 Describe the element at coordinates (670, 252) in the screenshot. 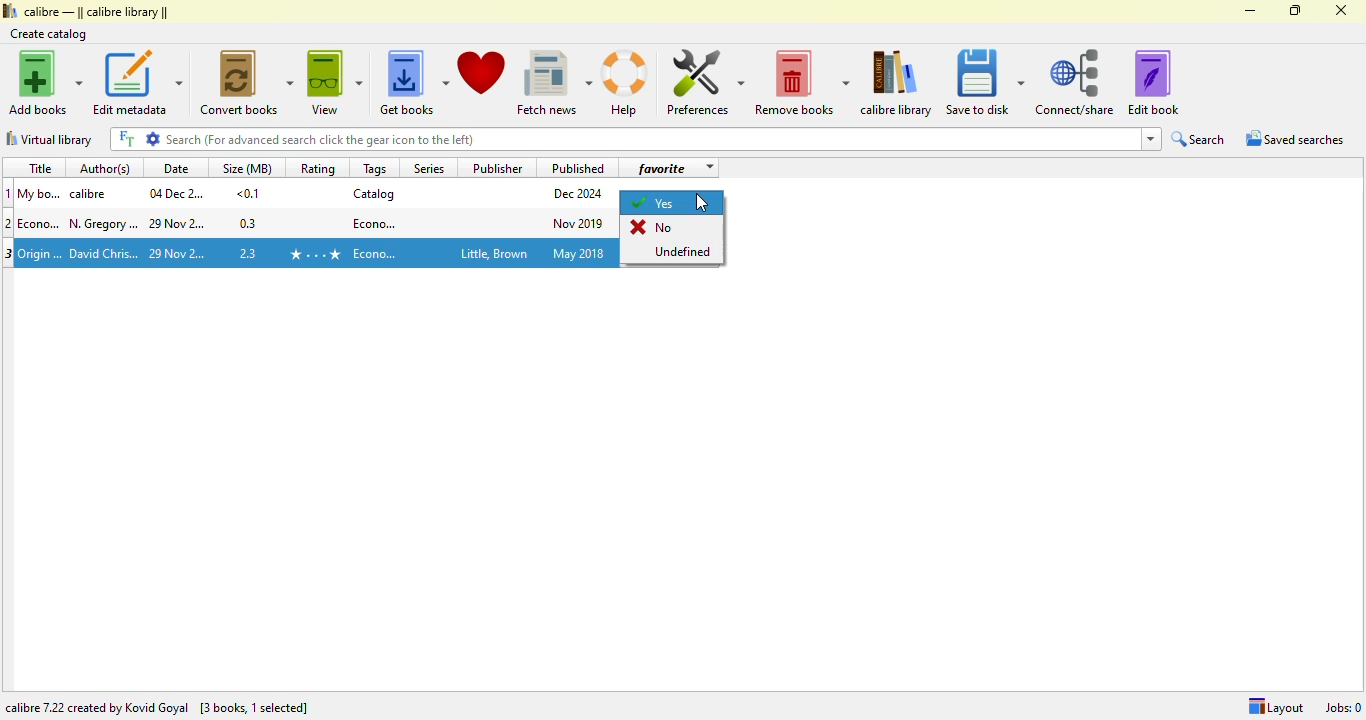

I see `Undefined` at that location.